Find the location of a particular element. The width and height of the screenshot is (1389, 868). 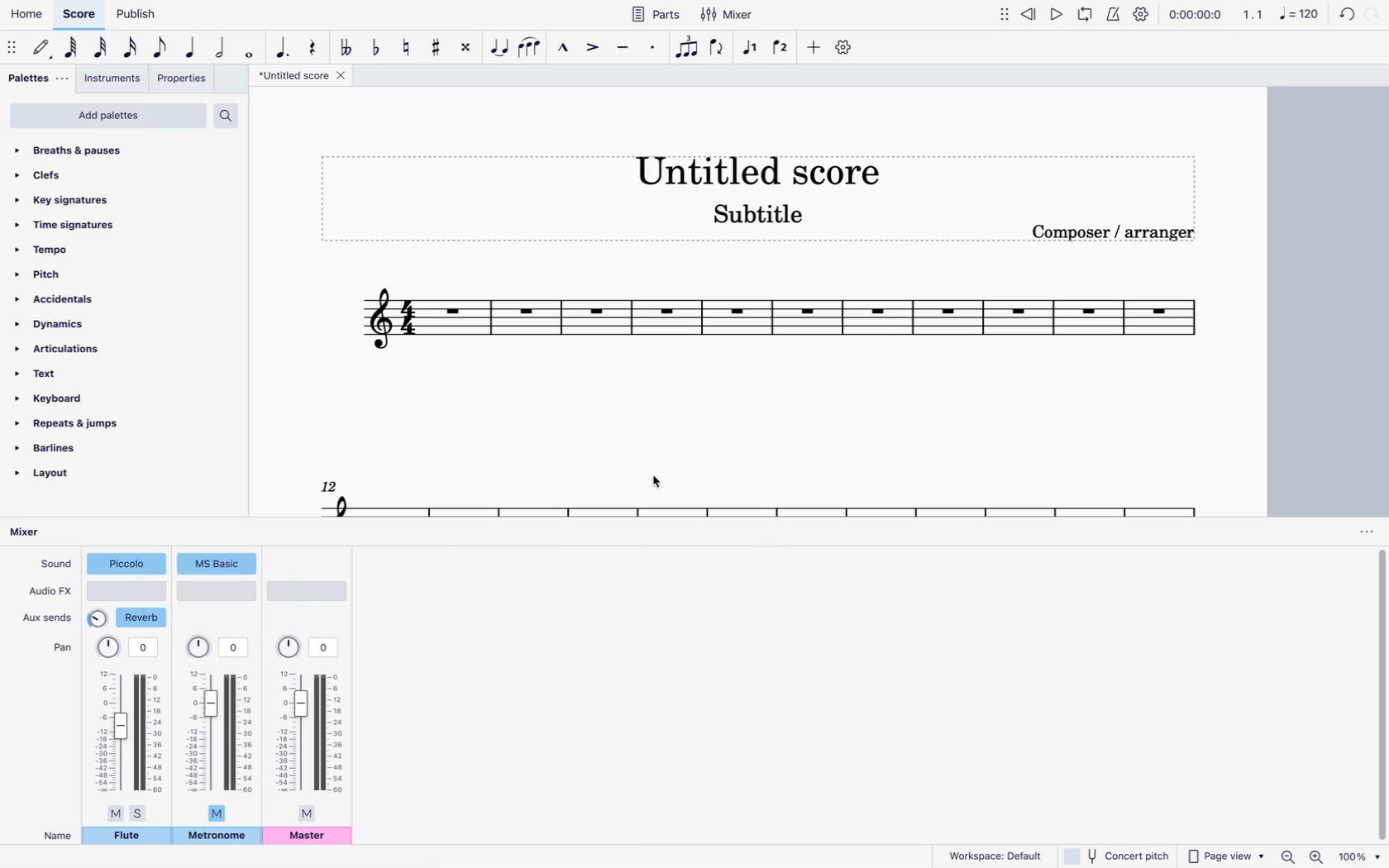

instruments is located at coordinates (113, 80).